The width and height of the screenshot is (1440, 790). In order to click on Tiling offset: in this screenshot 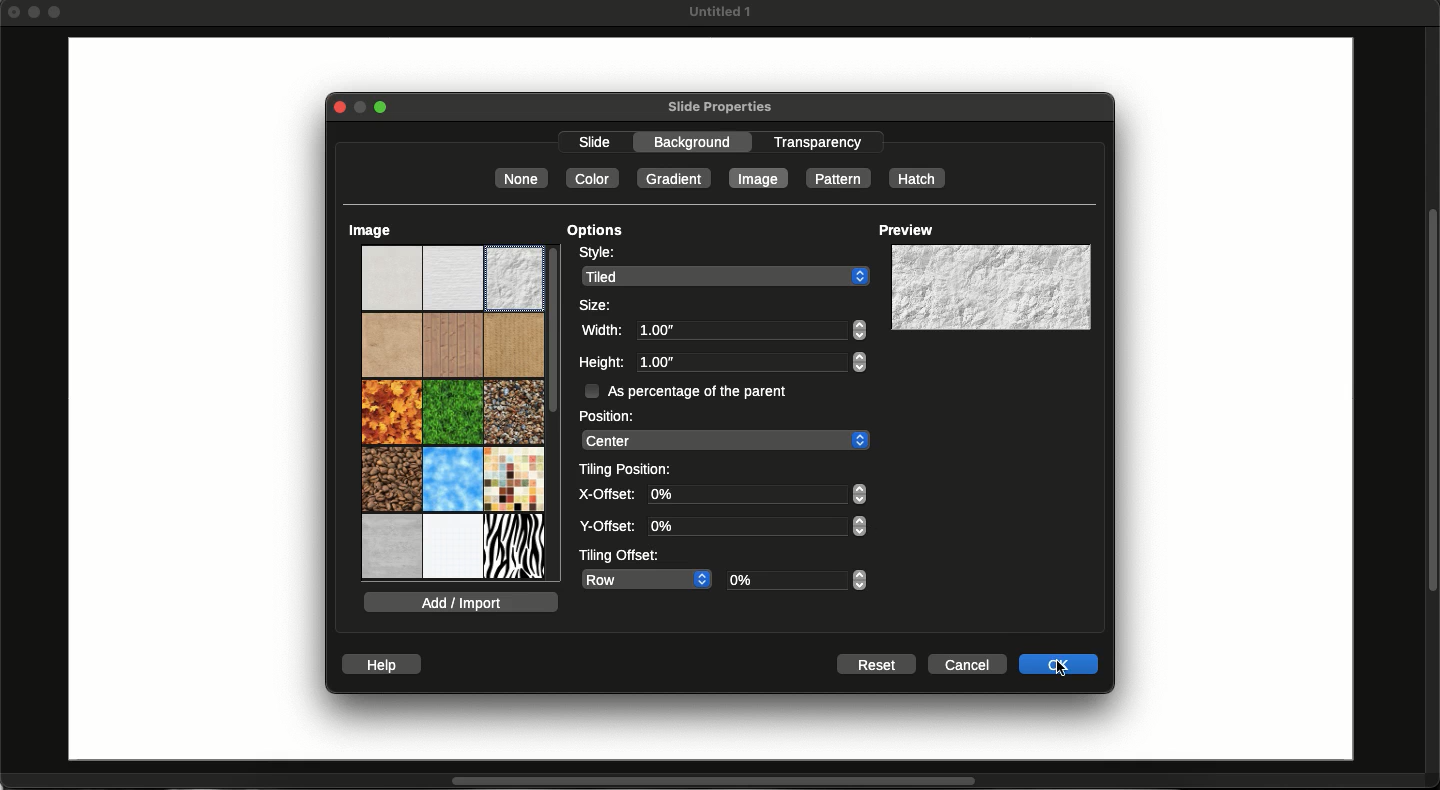, I will do `click(618, 554)`.